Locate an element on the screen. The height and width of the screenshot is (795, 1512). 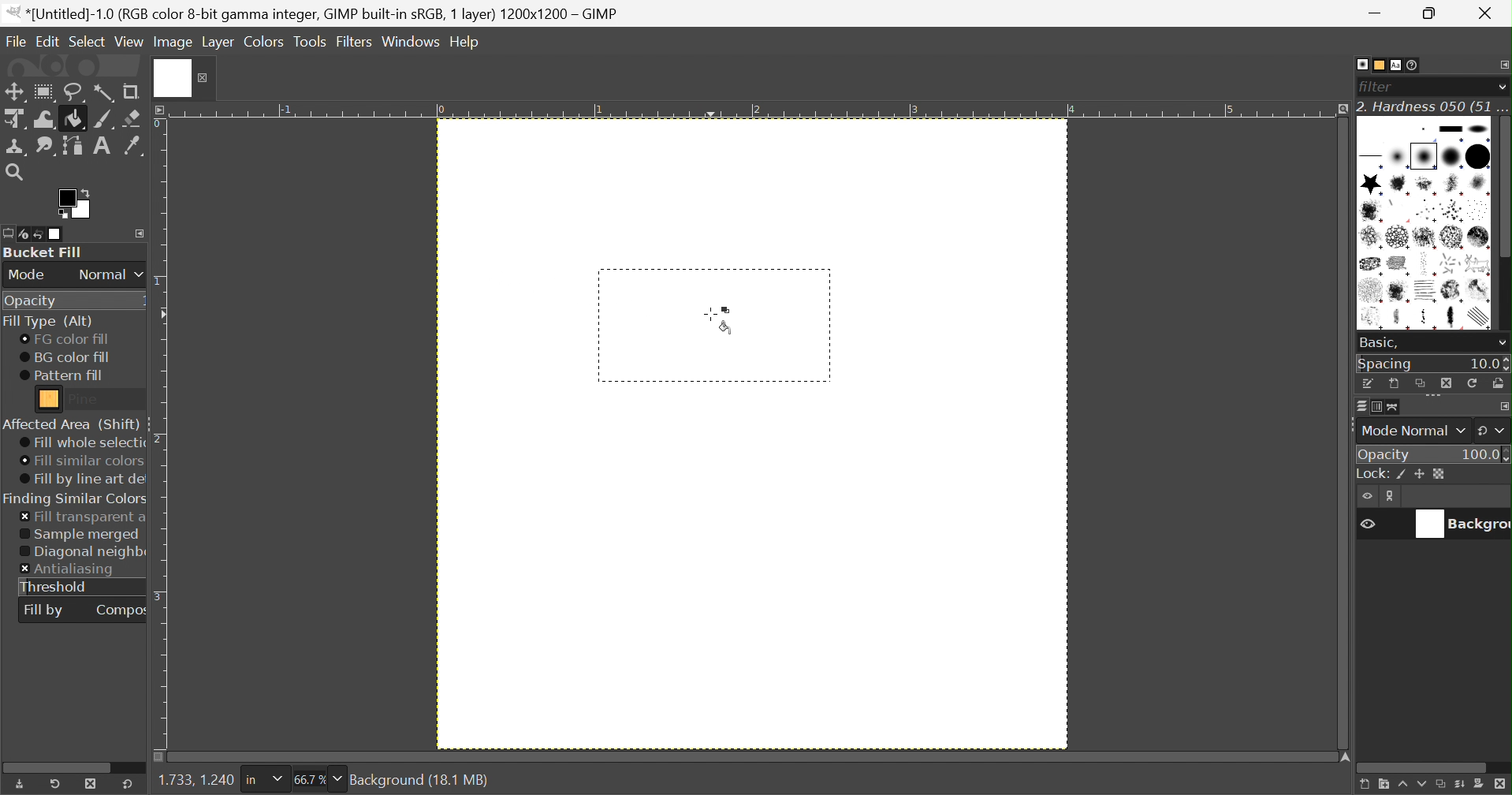
Sample merged is located at coordinates (79, 535).